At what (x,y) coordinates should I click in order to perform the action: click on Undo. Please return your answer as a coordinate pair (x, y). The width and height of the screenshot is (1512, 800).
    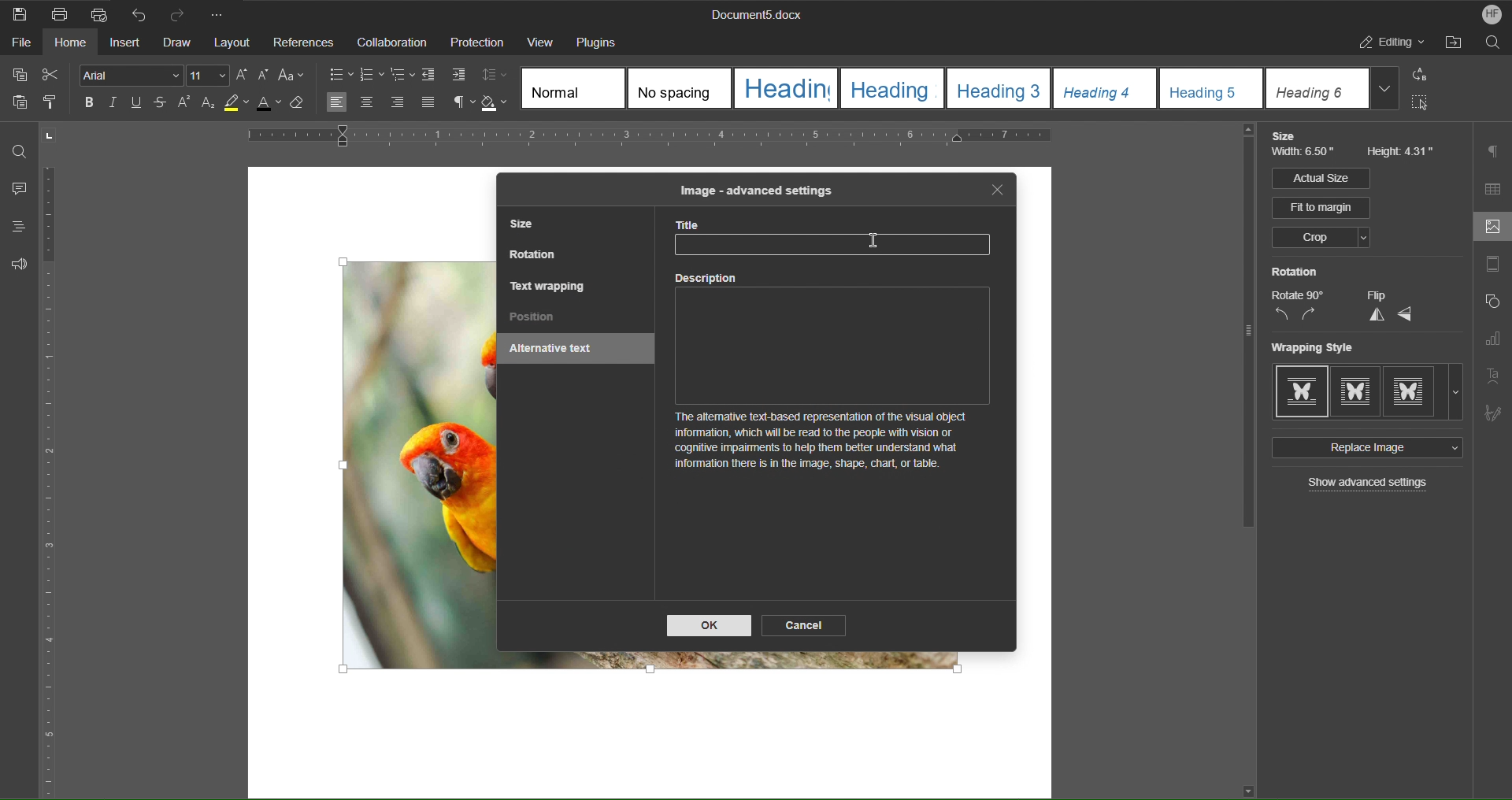
    Looking at the image, I should click on (139, 13).